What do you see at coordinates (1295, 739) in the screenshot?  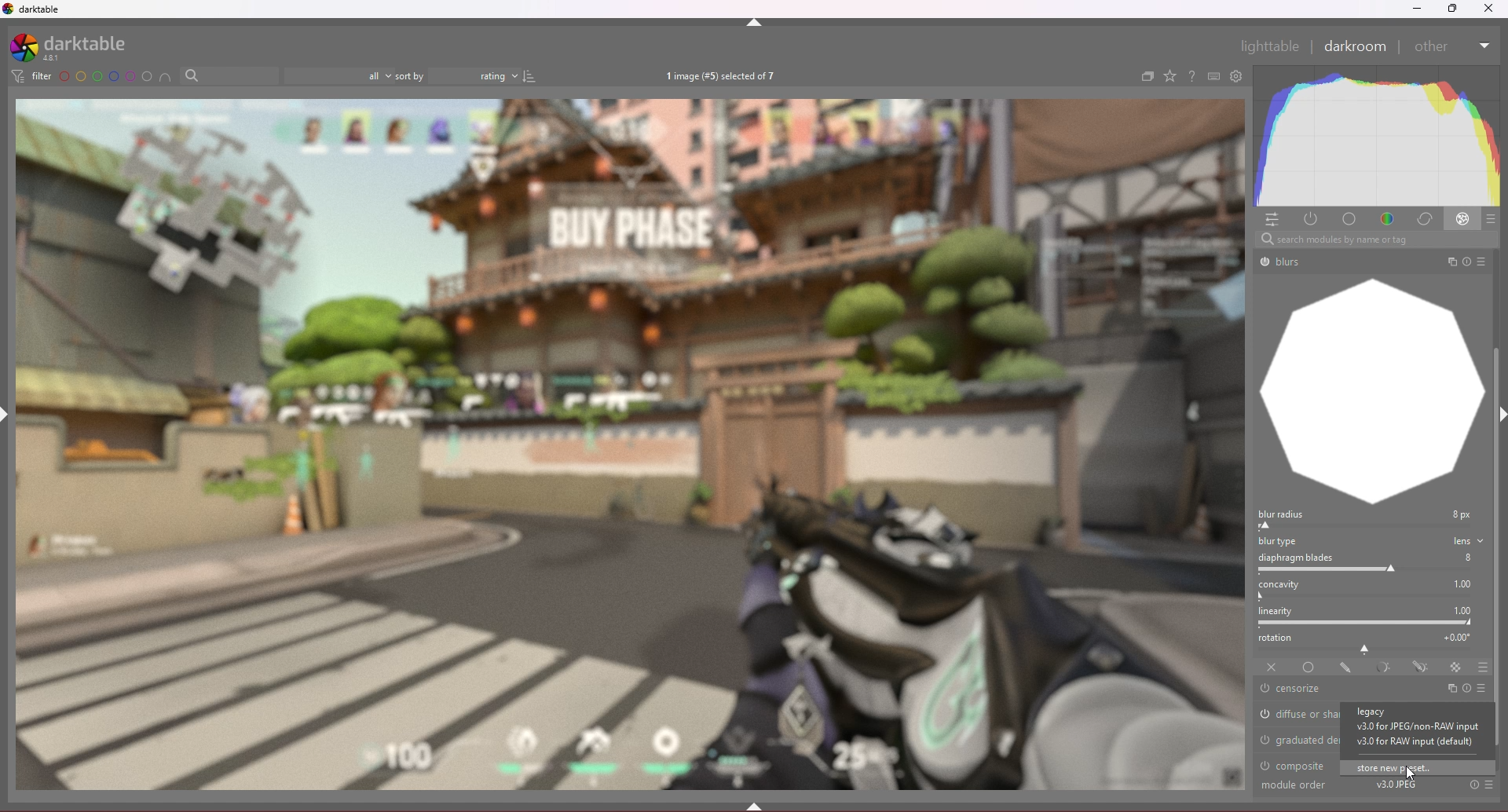 I see `graduated density` at bounding box center [1295, 739].